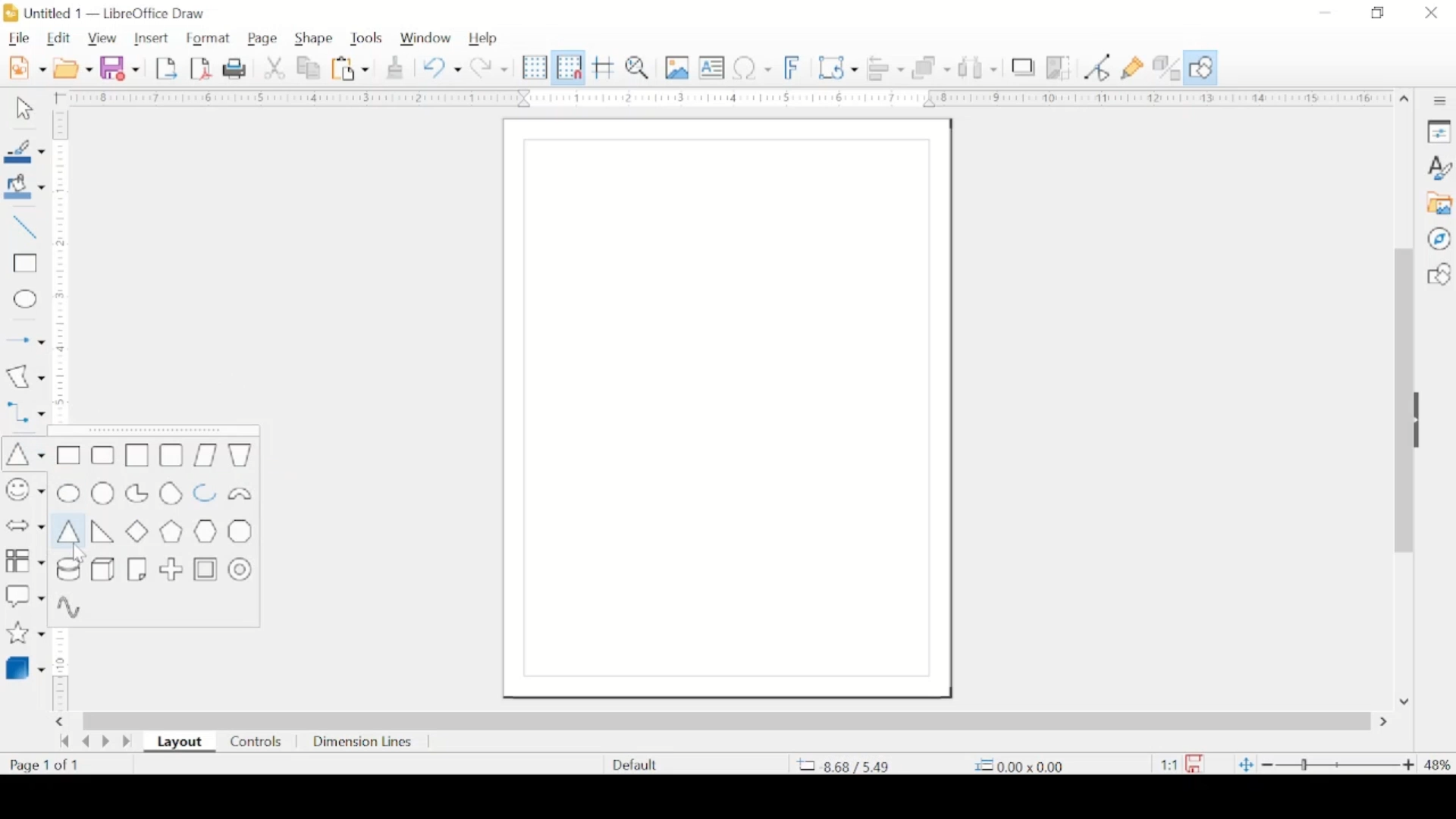 Image resolution: width=1456 pixels, height=819 pixels. What do you see at coordinates (234, 68) in the screenshot?
I see `print` at bounding box center [234, 68].